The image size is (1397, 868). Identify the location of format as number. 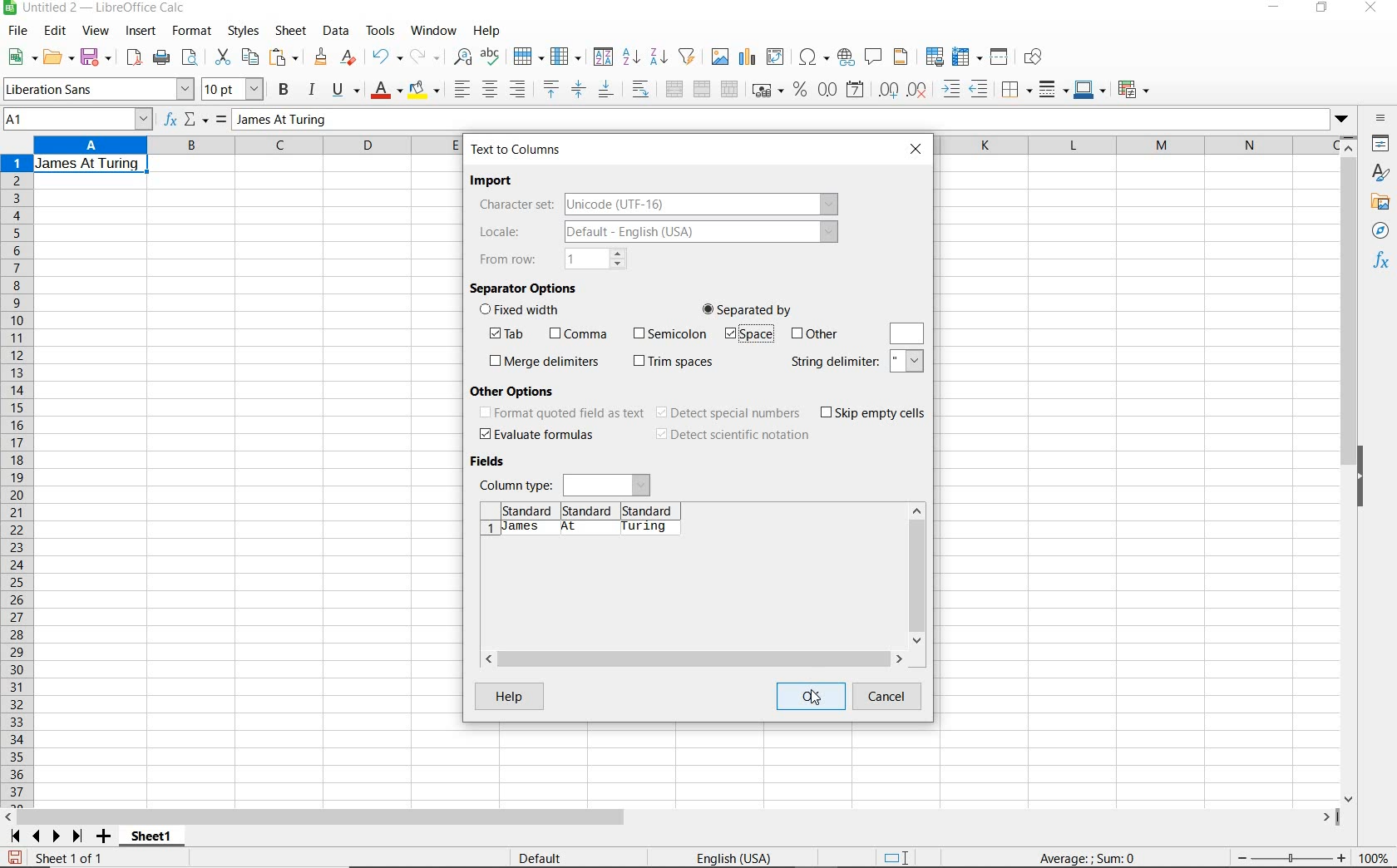
(827, 90).